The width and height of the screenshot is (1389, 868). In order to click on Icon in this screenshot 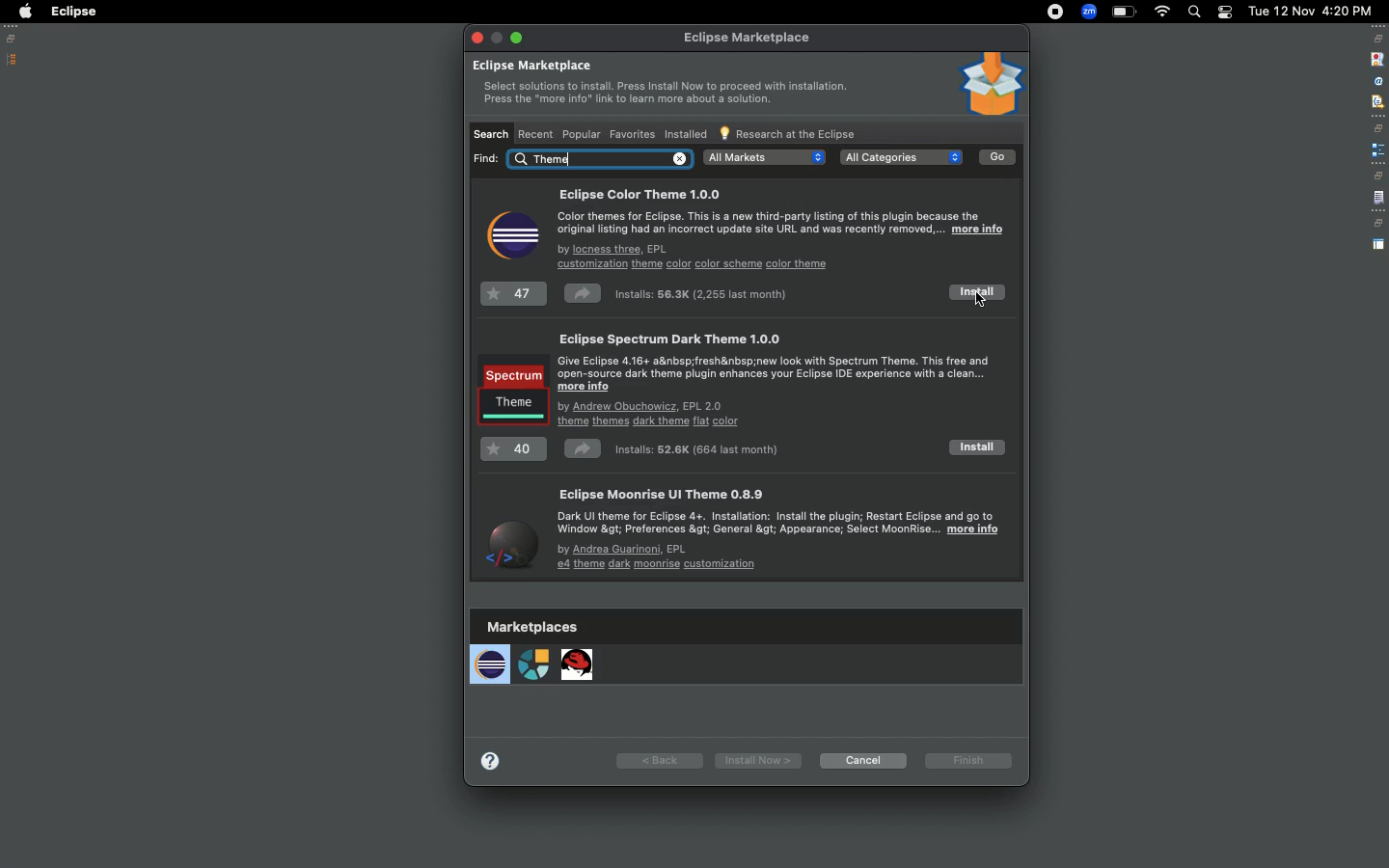, I will do `click(511, 232)`.